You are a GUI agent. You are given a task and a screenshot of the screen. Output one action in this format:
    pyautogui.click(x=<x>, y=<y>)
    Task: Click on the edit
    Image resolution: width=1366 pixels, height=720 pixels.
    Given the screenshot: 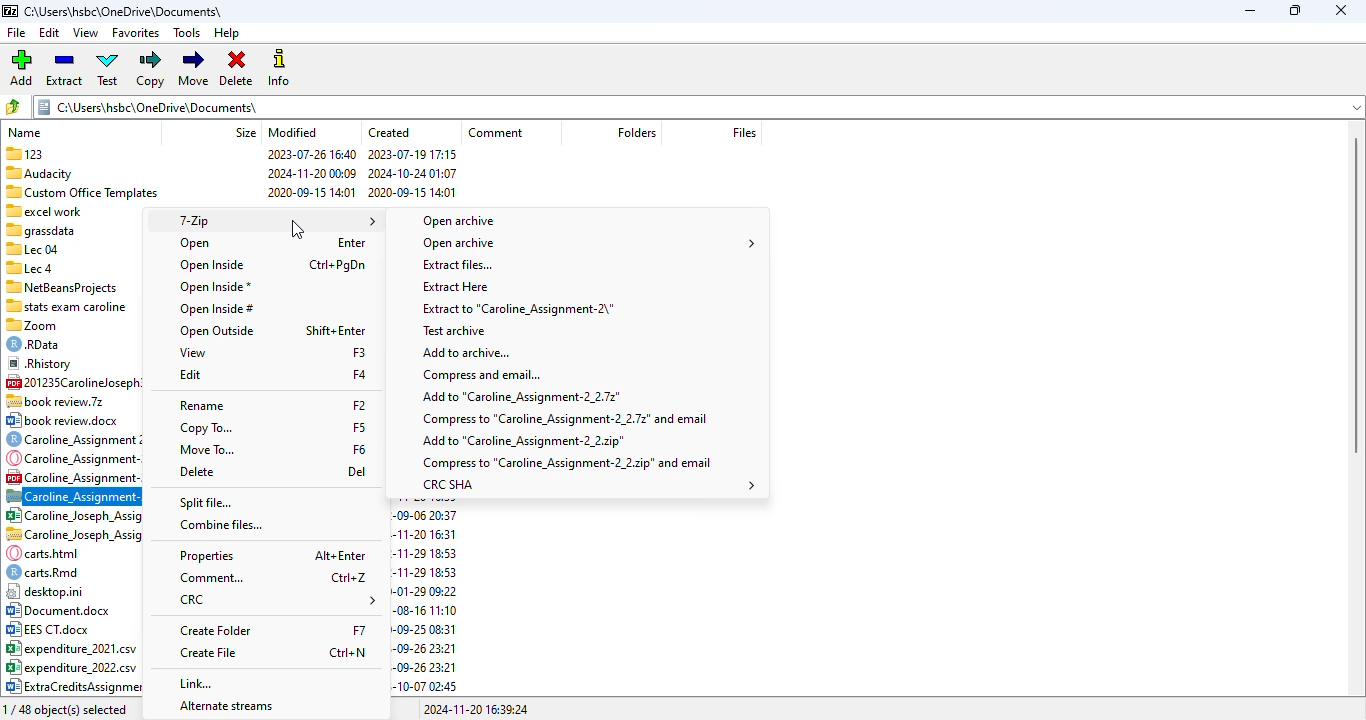 What is the action you would take?
    pyautogui.click(x=50, y=33)
    